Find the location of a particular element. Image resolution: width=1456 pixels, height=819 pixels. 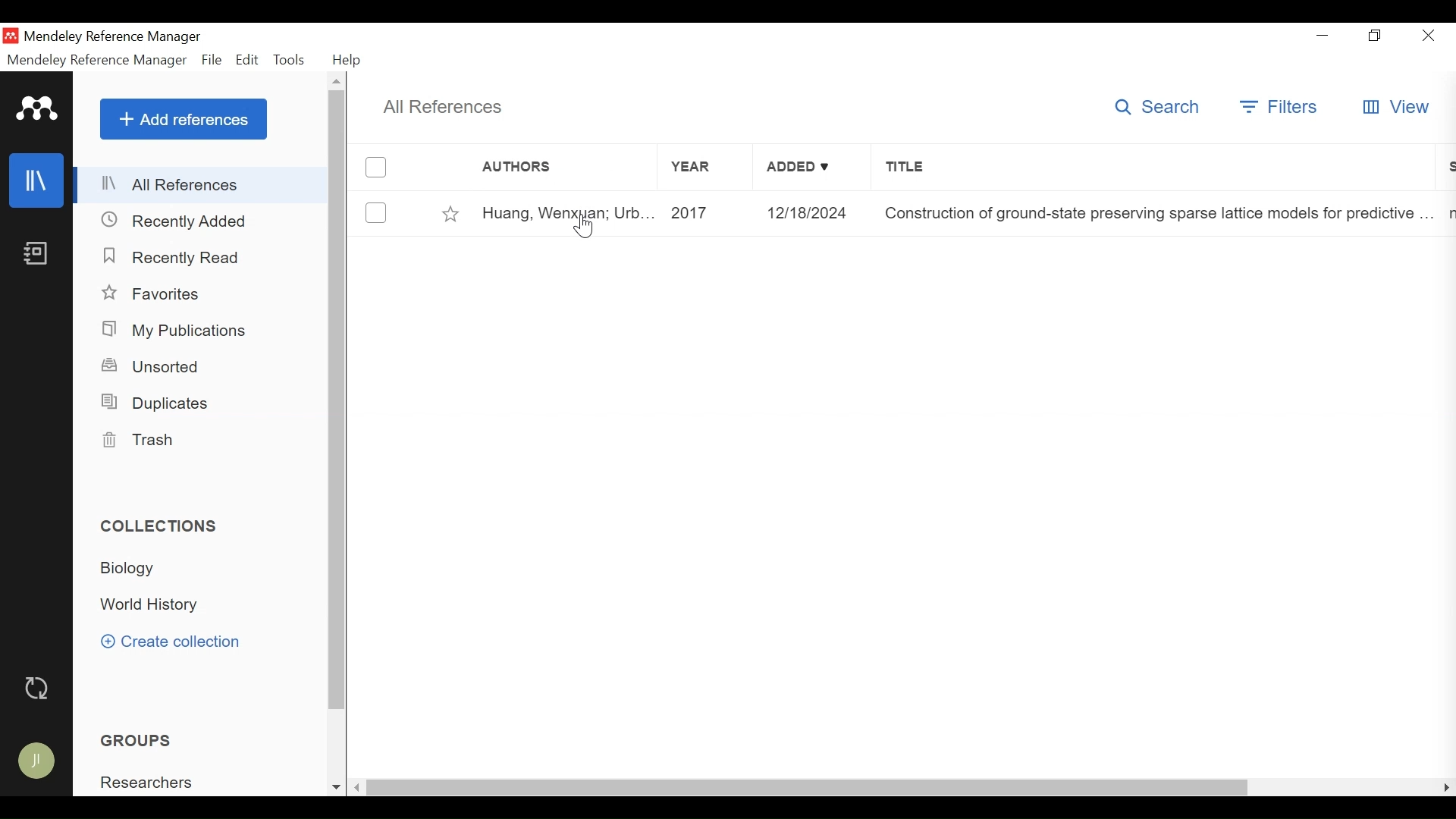

Favorites is located at coordinates (155, 294).